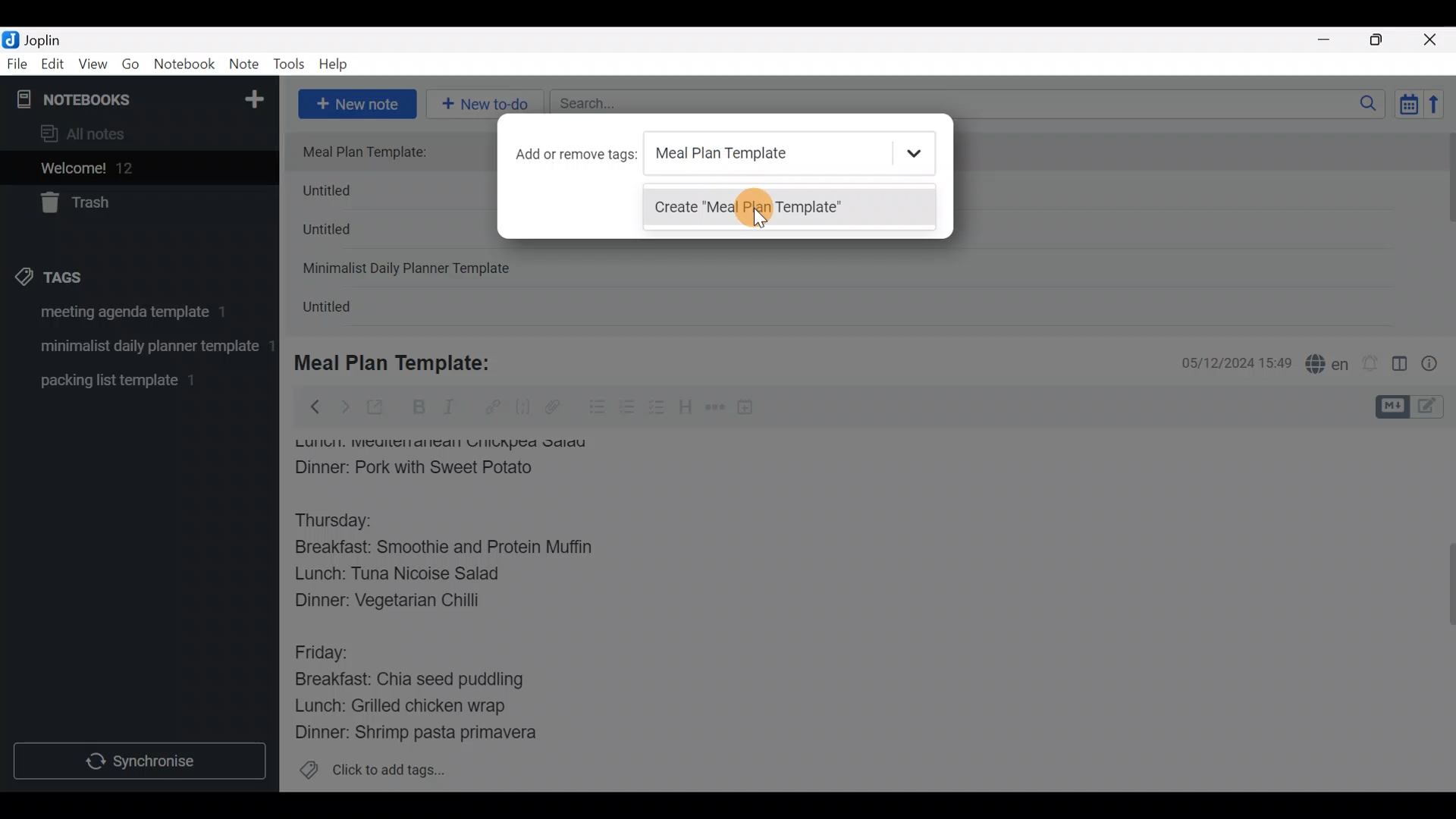 This screenshot has height=819, width=1456. I want to click on Tags, so click(85, 275).